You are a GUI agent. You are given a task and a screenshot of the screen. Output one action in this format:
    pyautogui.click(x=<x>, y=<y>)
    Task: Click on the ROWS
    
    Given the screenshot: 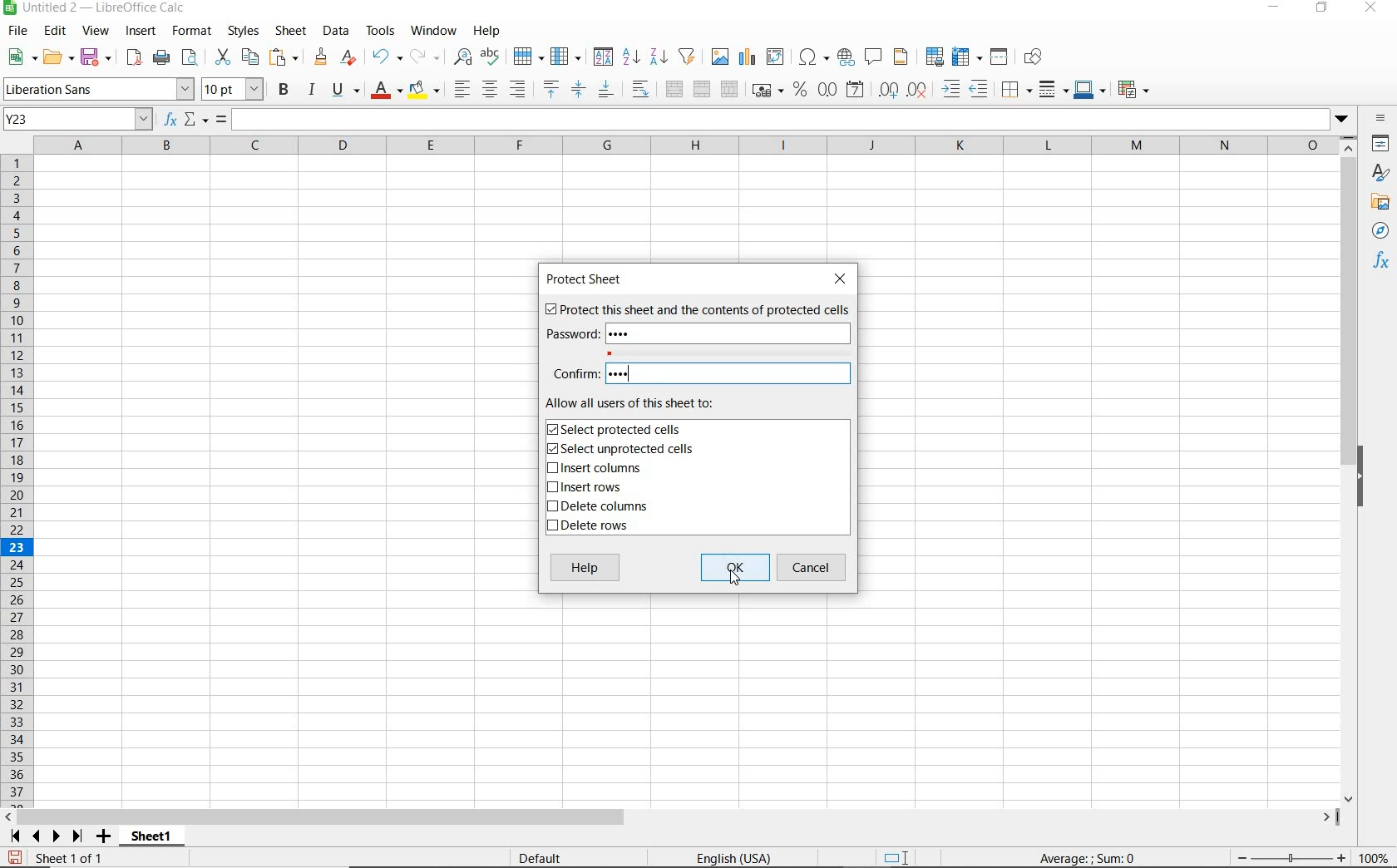 What is the action you would take?
    pyautogui.click(x=18, y=478)
    